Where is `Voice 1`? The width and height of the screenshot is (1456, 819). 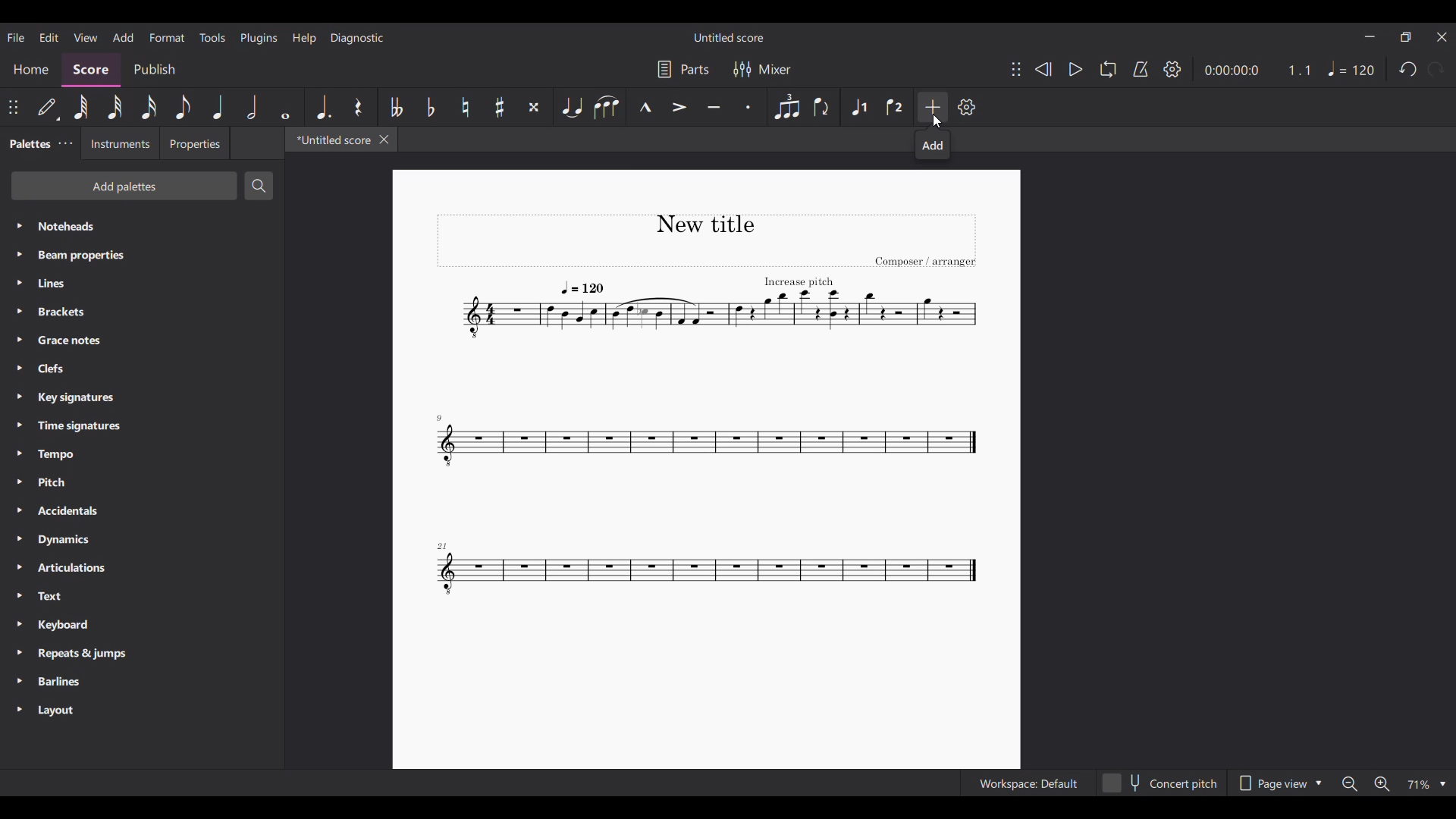
Voice 1 is located at coordinates (860, 108).